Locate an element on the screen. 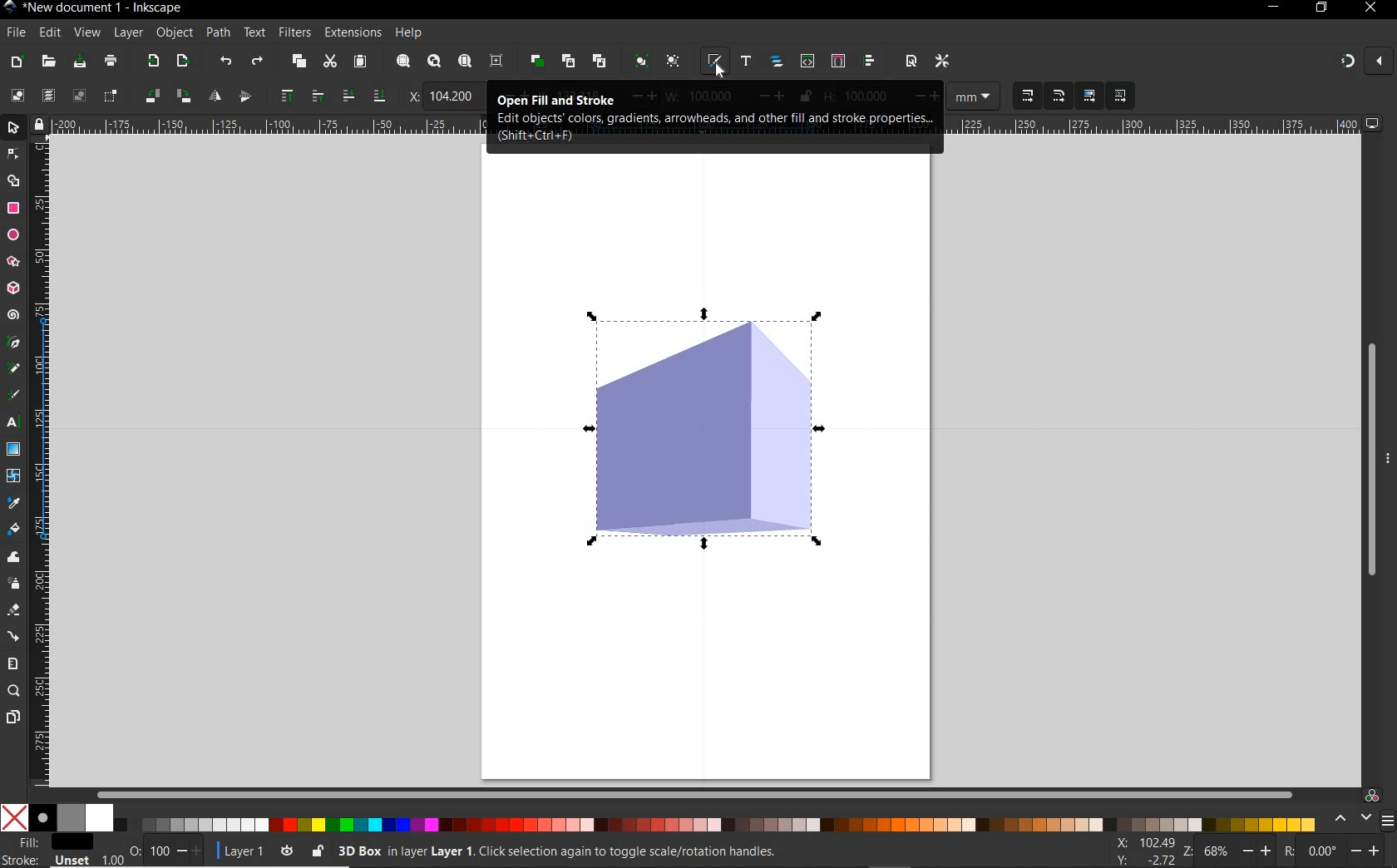 The image size is (1397, 868). SAVE is located at coordinates (79, 61).